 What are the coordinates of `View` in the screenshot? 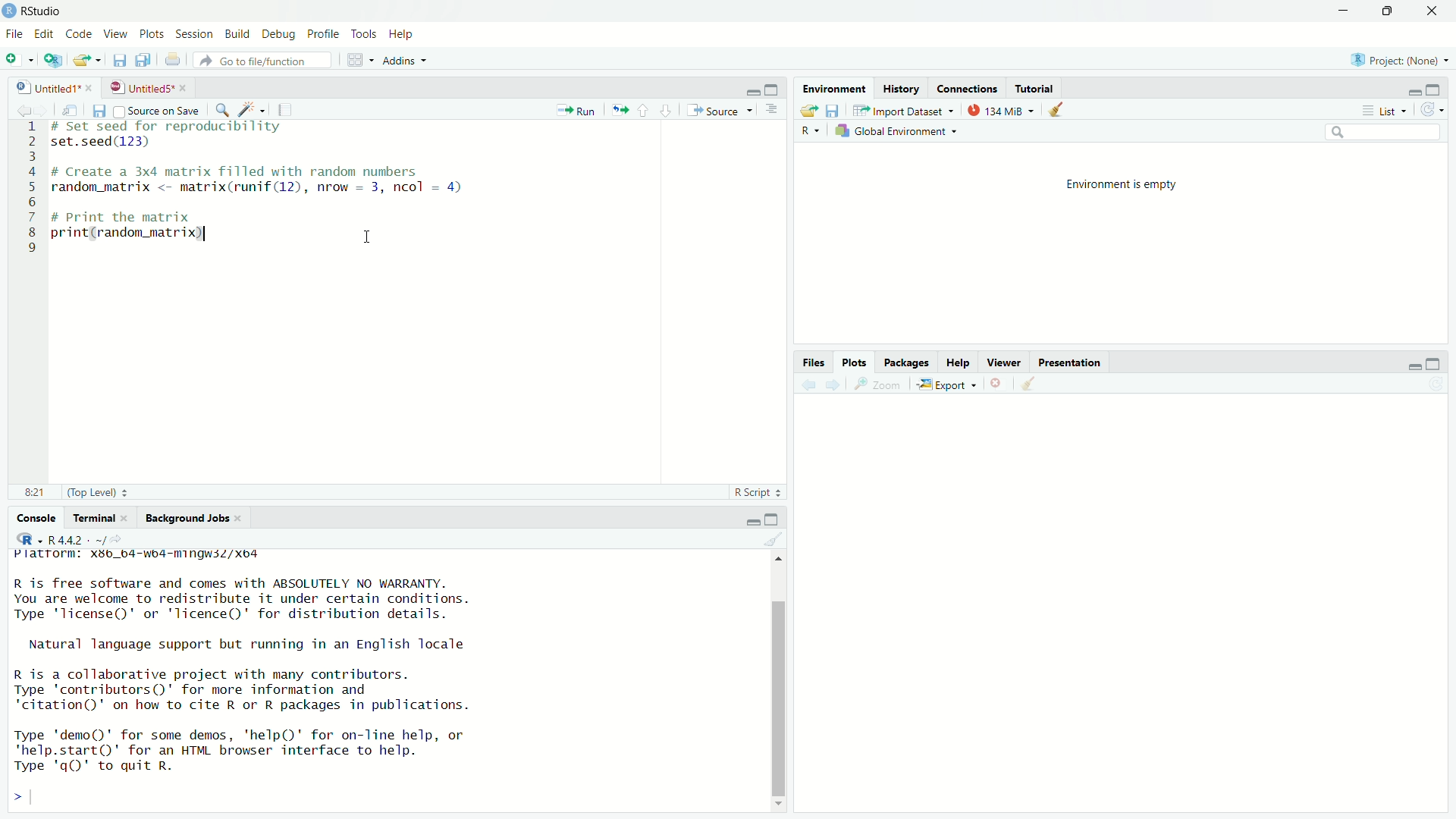 It's located at (116, 33).